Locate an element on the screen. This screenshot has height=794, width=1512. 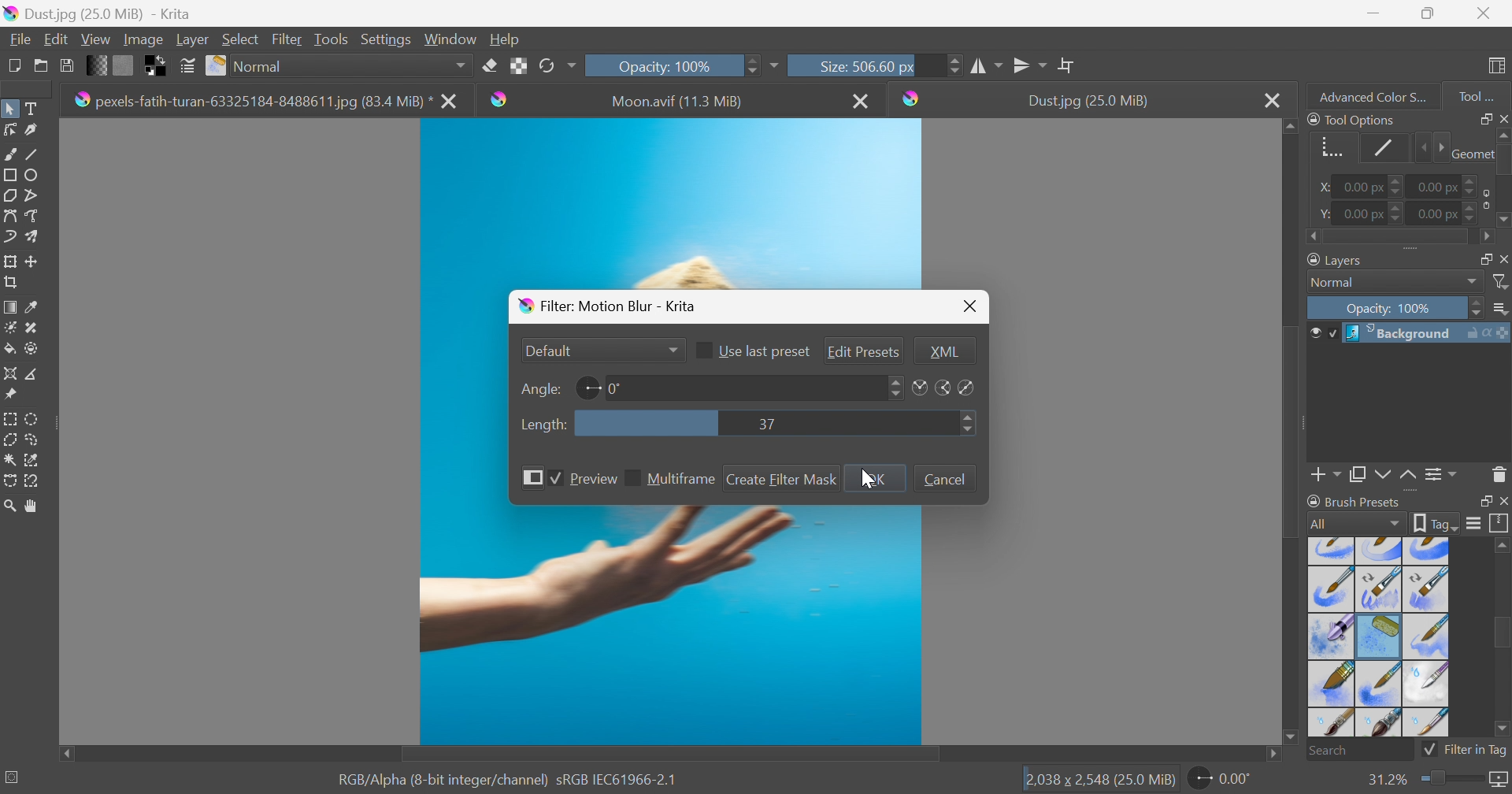
Image is located at coordinates (142, 39).